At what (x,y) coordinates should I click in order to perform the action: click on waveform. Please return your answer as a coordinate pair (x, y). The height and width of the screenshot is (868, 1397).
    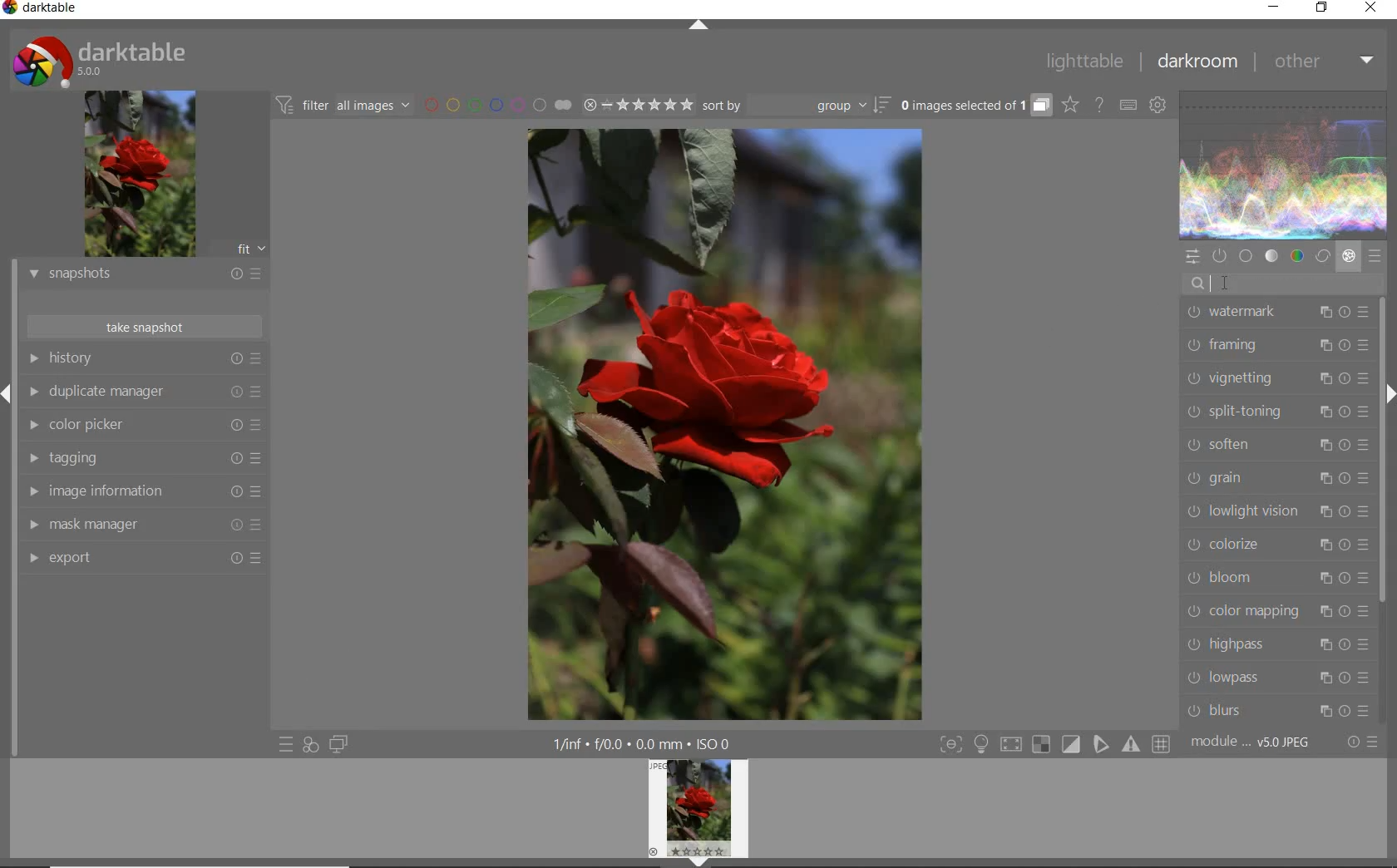
    Looking at the image, I should click on (1284, 163).